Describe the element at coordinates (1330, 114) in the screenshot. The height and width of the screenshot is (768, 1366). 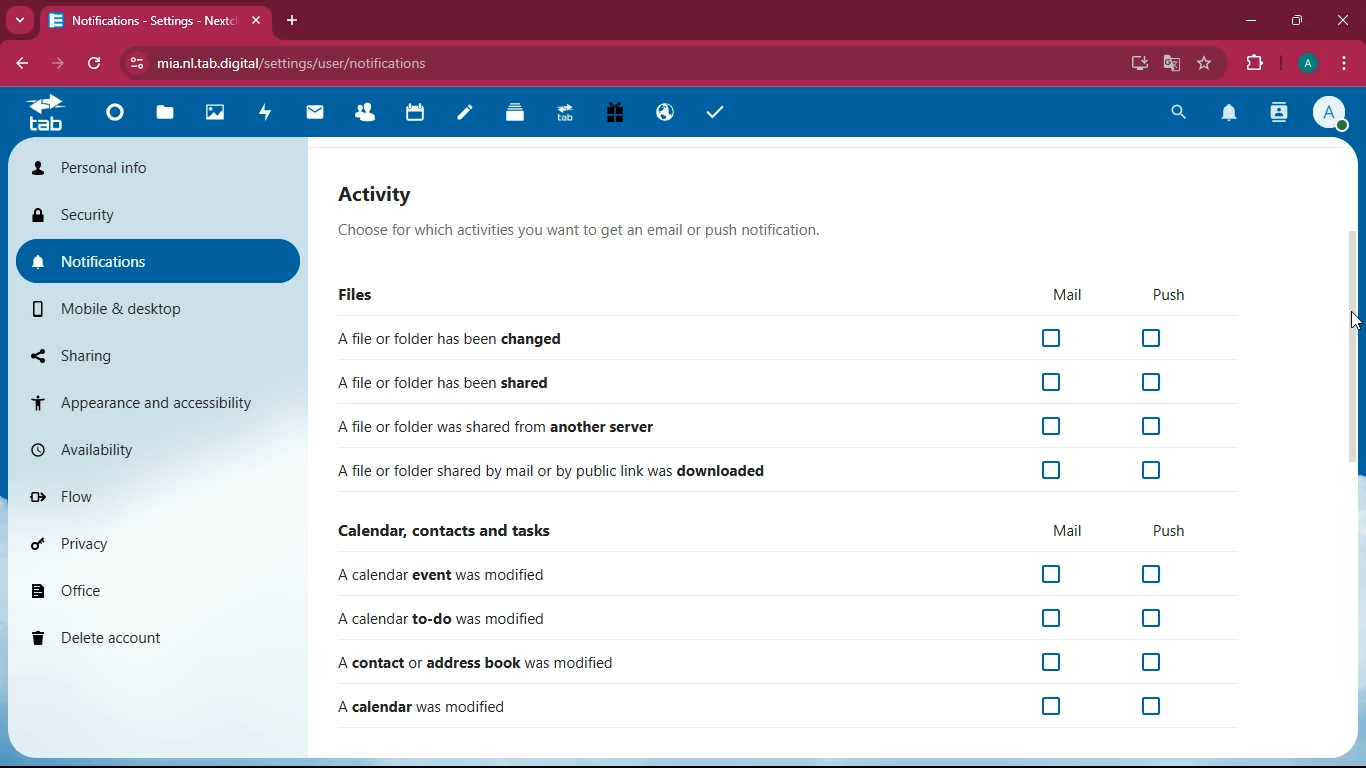
I see `profile` at that location.